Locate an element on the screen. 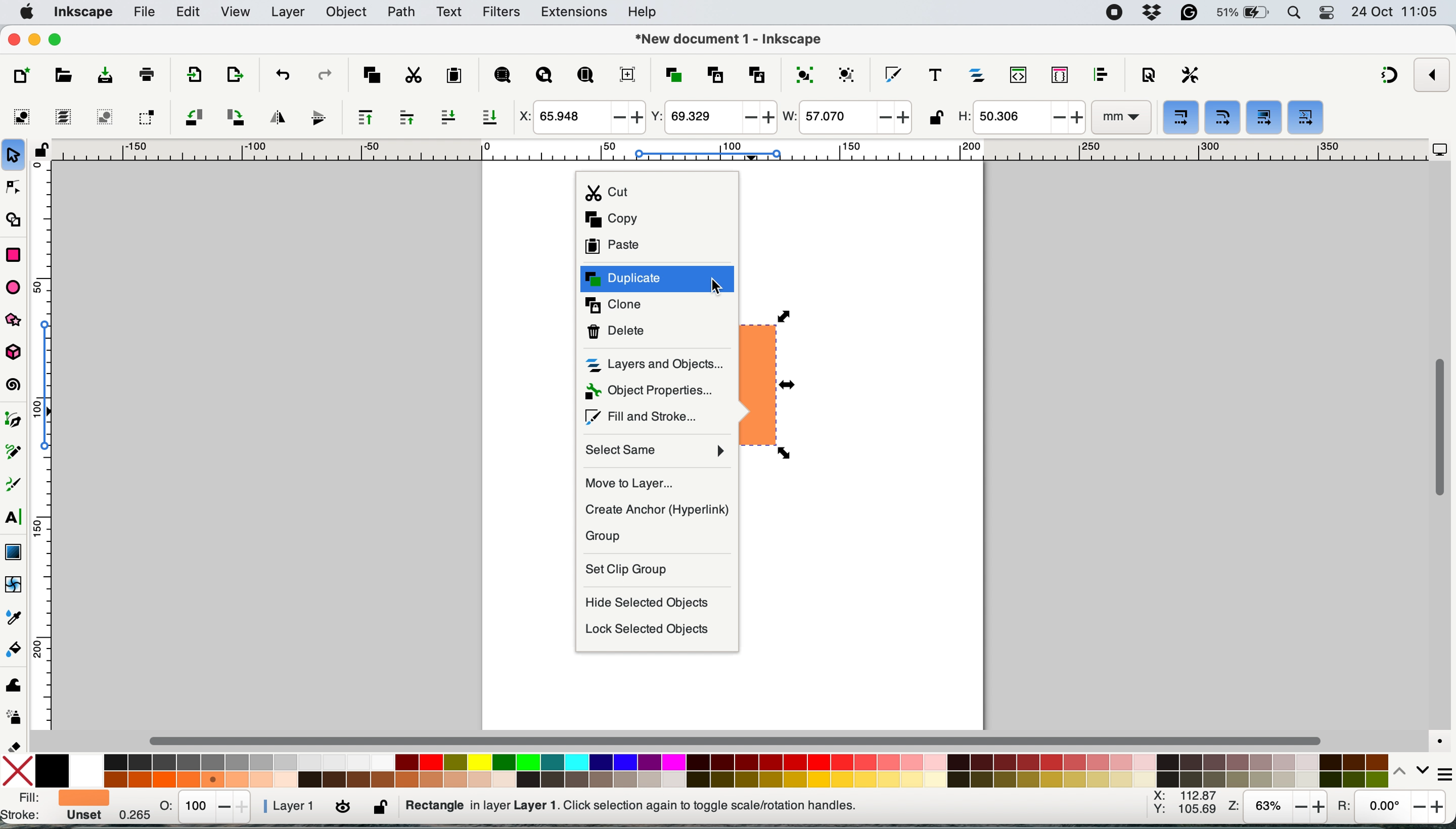 This screenshot has height=829, width=1456. layer 1 is located at coordinates (294, 806).